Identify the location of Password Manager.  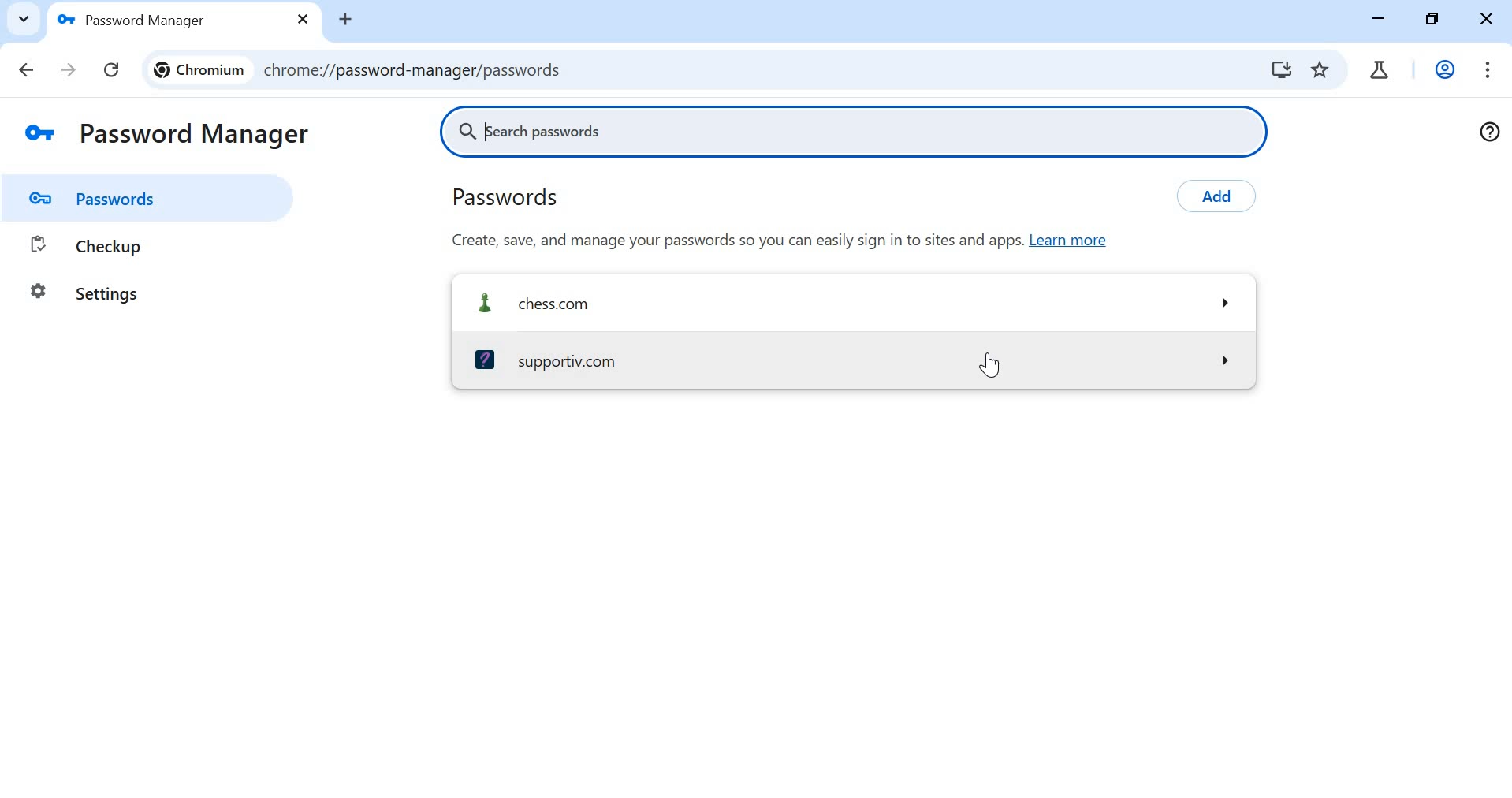
(167, 133).